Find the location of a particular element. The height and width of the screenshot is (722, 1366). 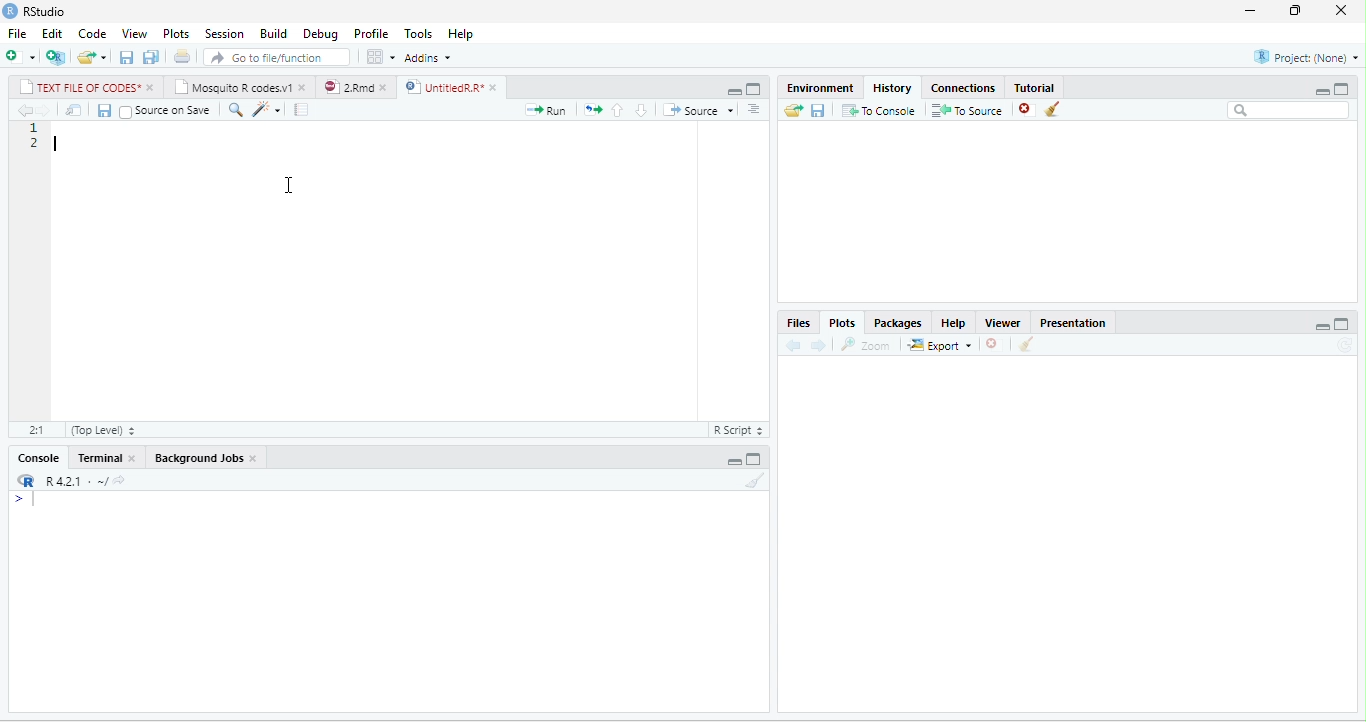

minimize is located at coordinates (1250, 11).